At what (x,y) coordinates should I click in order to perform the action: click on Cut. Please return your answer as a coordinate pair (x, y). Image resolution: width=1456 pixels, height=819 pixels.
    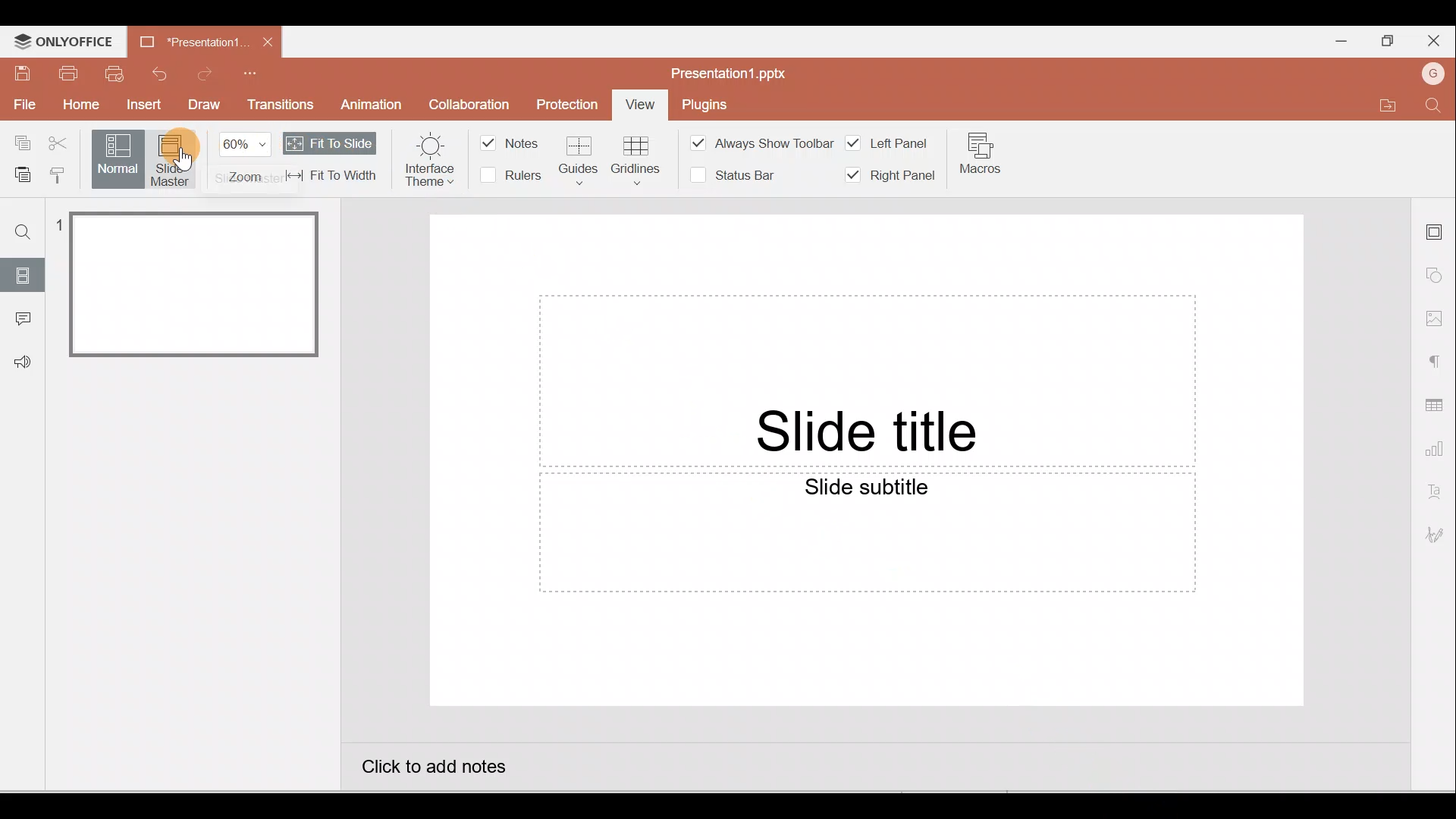
    Looking at the image, I should click on (59, 143).